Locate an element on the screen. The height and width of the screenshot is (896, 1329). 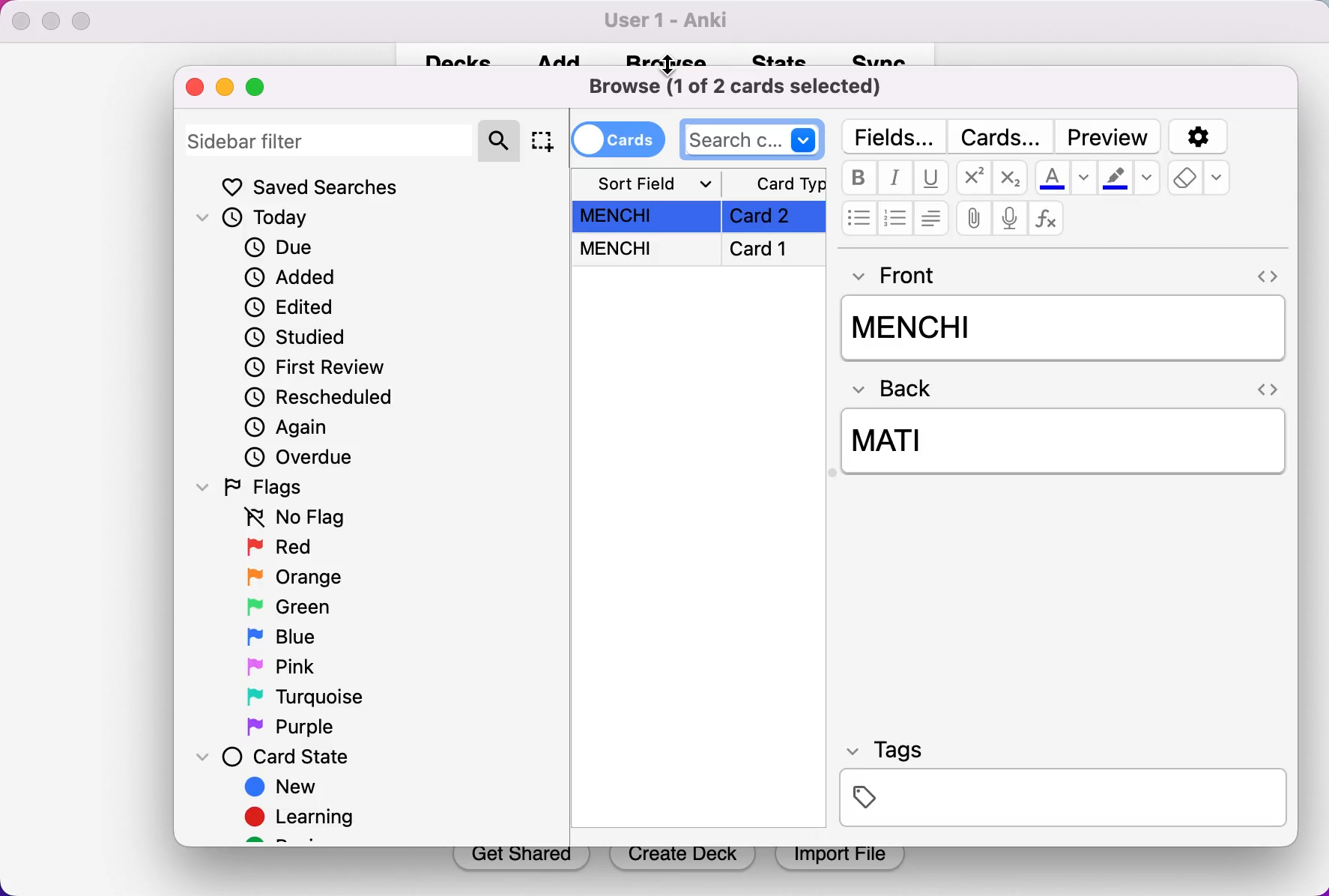
remove formatting is located at coordinates (1201, 181).